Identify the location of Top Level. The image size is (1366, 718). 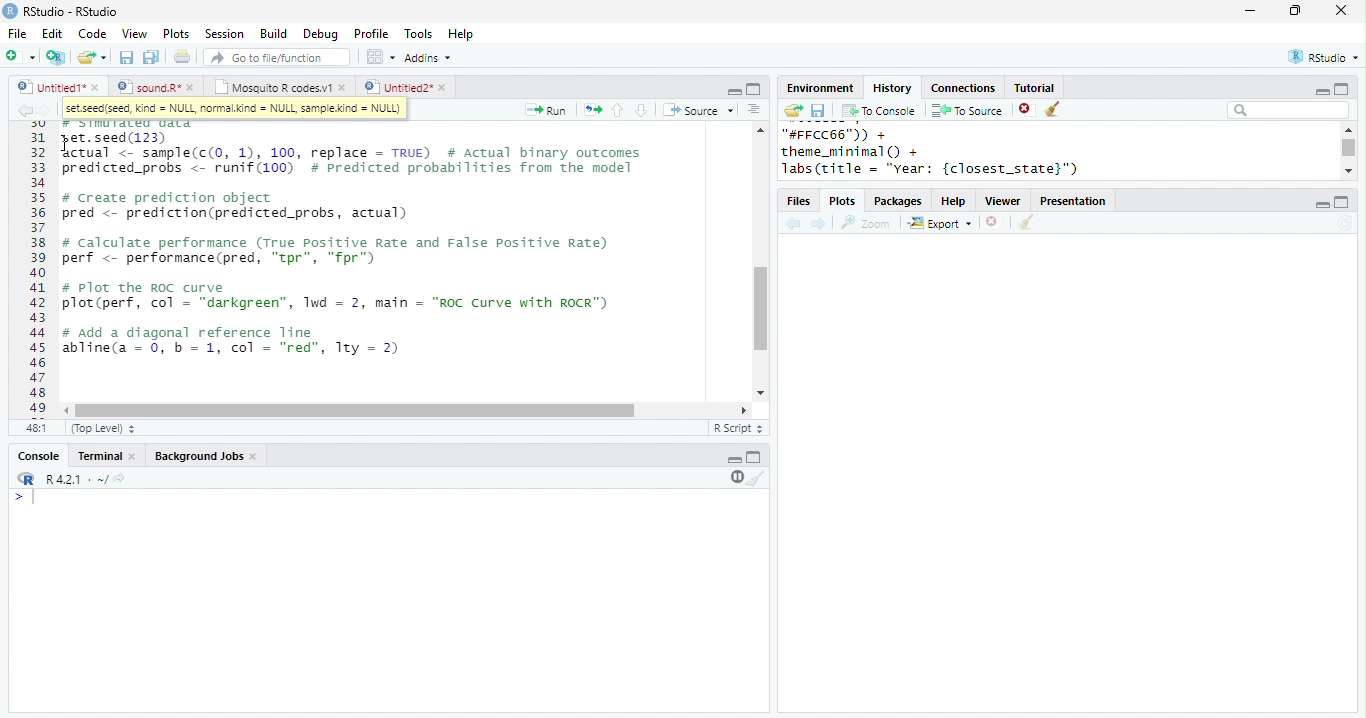
(105, 428).